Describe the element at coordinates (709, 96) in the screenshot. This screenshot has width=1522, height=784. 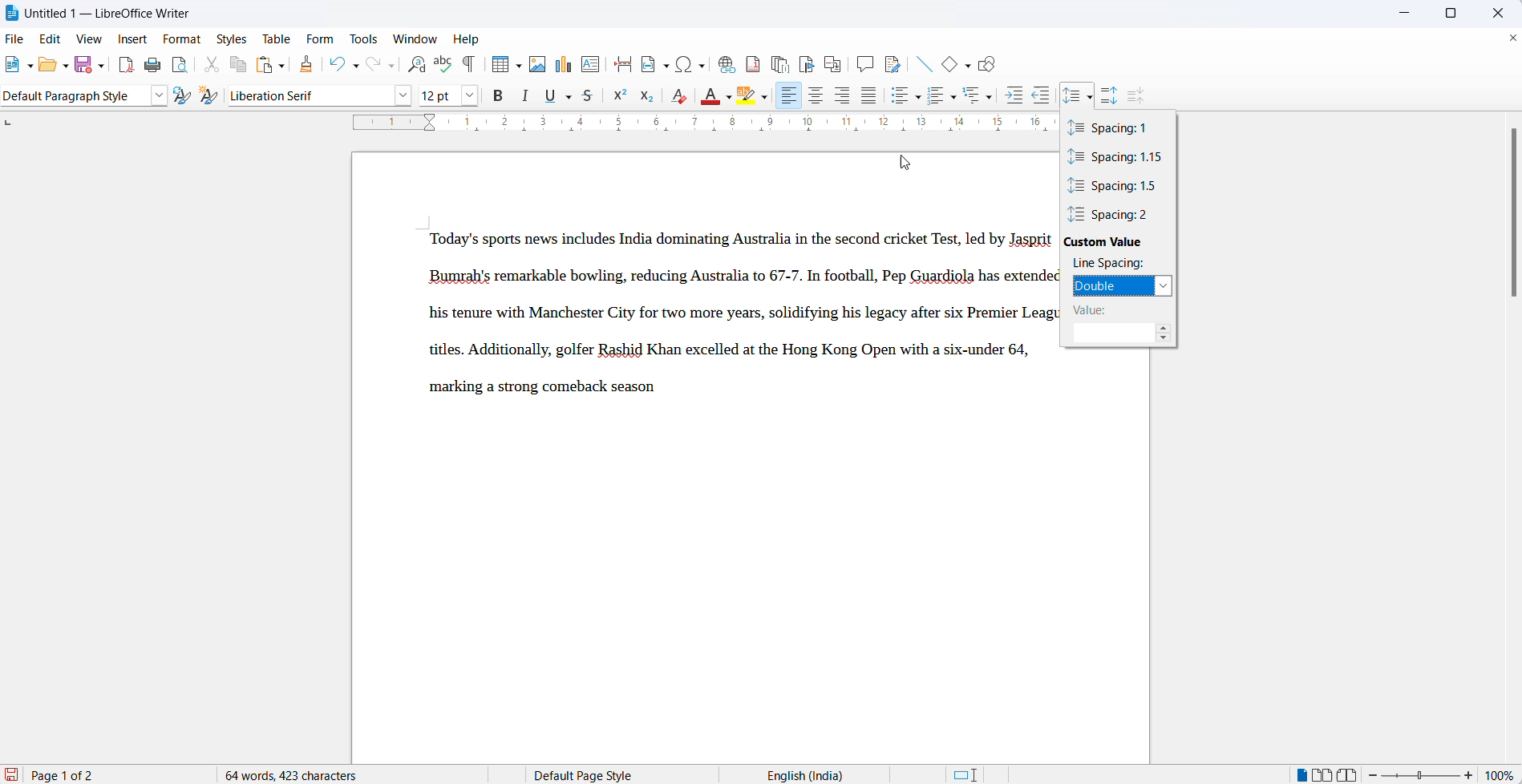
I see `fill color` at that location.